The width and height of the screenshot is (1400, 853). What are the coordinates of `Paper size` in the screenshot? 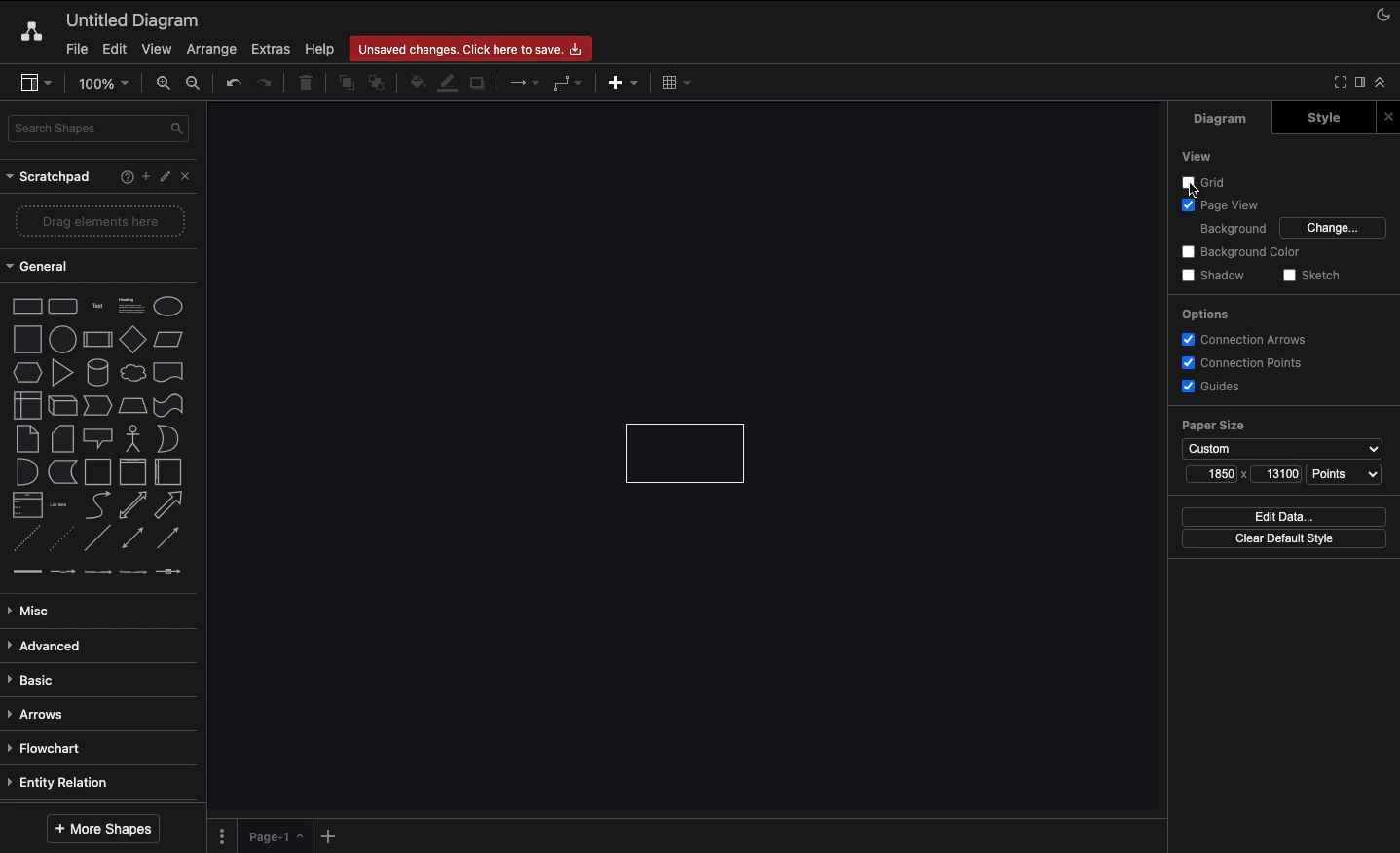 It's located at (1284, 437).